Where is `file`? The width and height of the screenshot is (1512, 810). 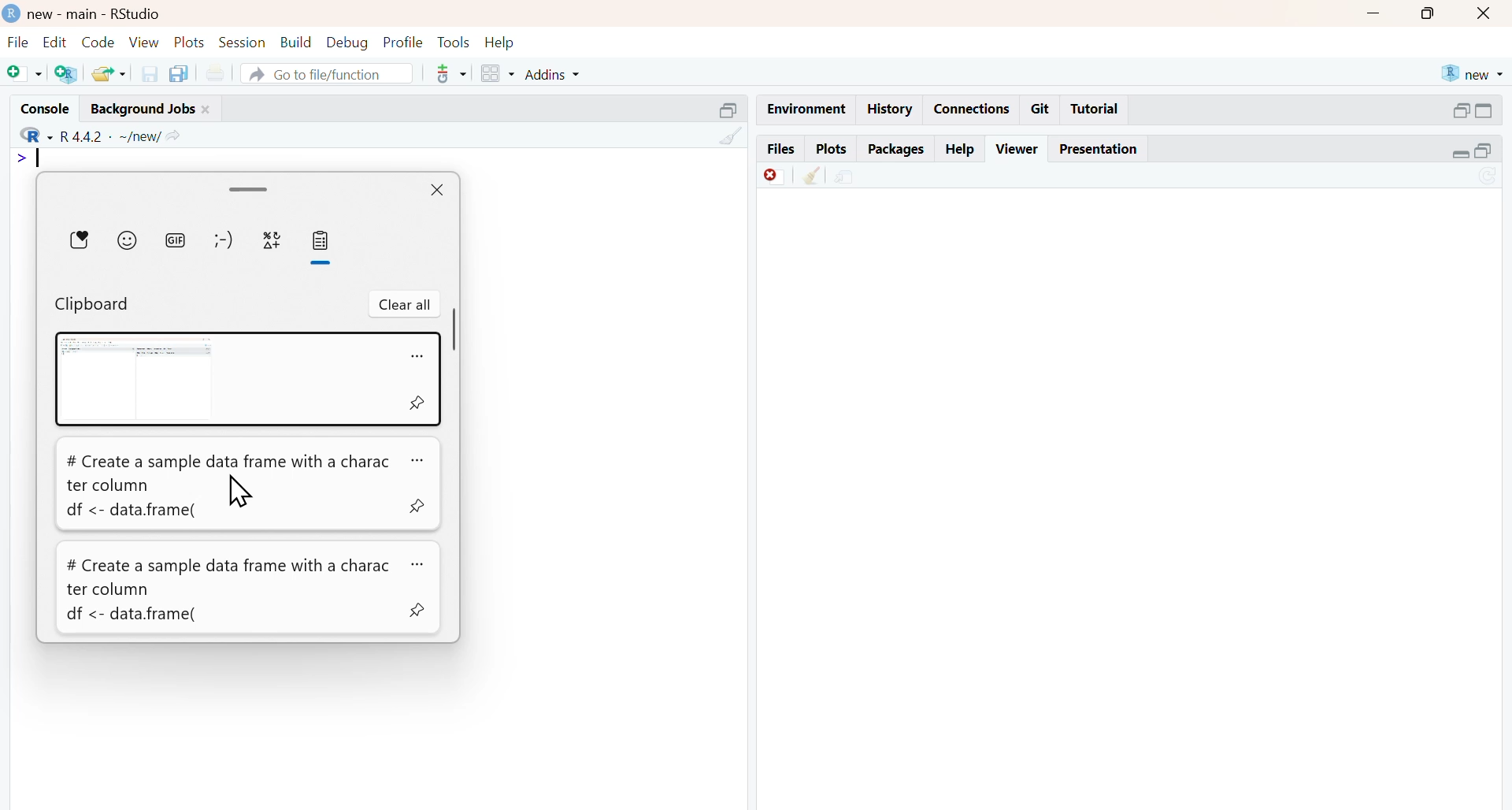
file is located at coordinates (17, 42).